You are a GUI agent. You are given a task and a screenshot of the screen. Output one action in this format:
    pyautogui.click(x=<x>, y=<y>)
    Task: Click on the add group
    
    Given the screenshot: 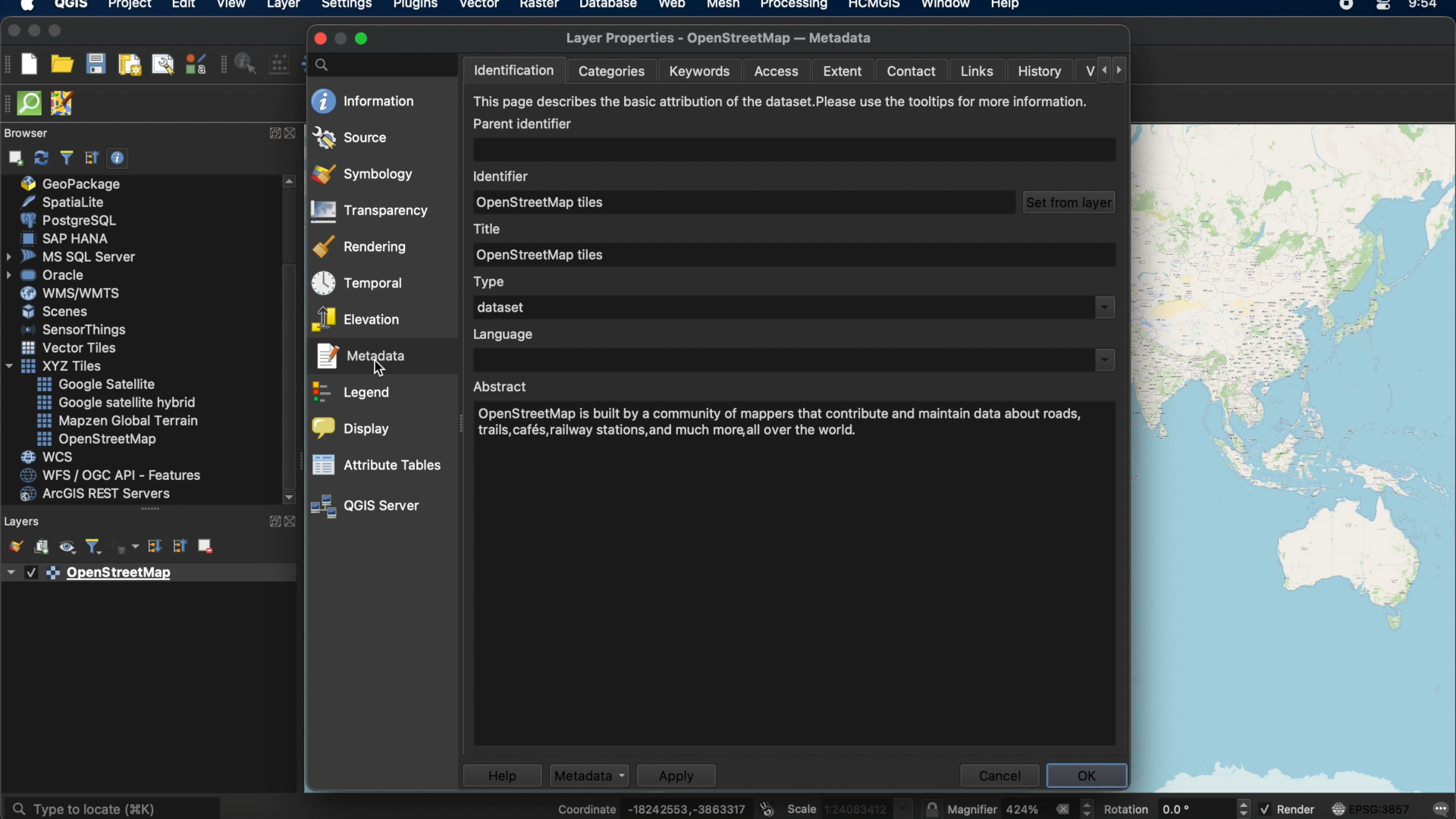 What is the action you would take?
    pyautogui.click(x=41, y=548)
    